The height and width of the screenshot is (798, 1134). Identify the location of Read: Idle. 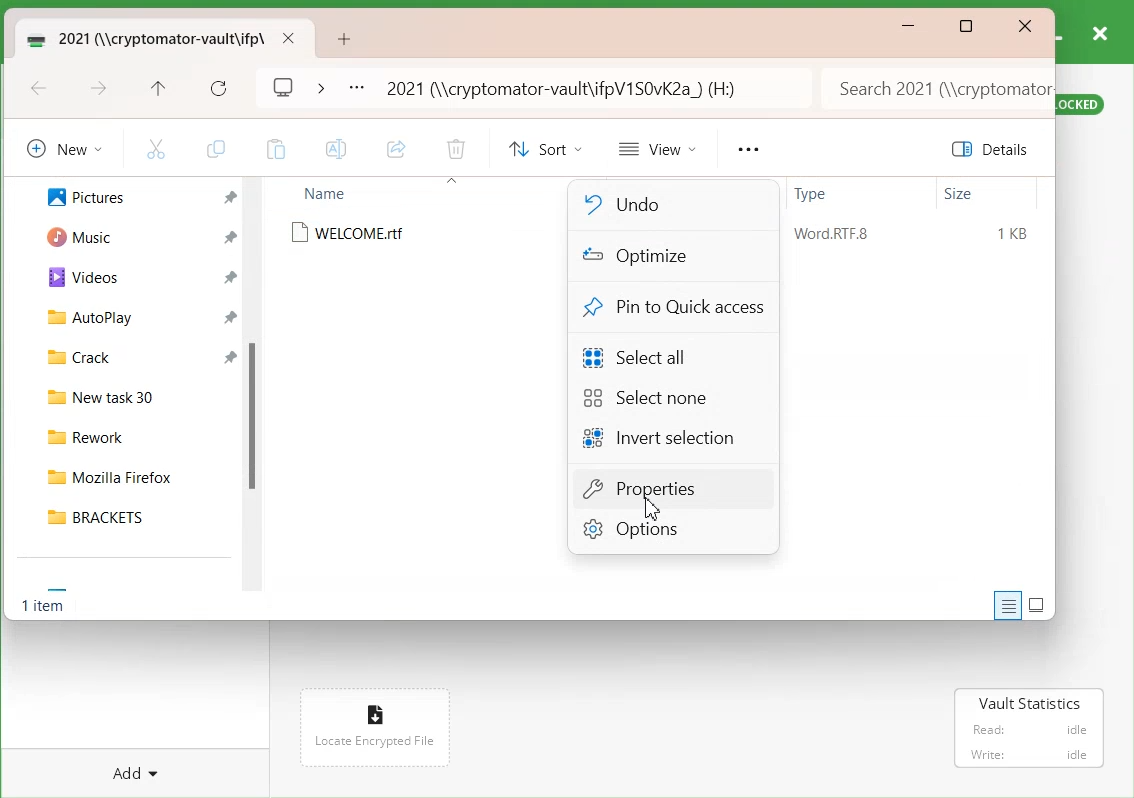
(1030, 729).